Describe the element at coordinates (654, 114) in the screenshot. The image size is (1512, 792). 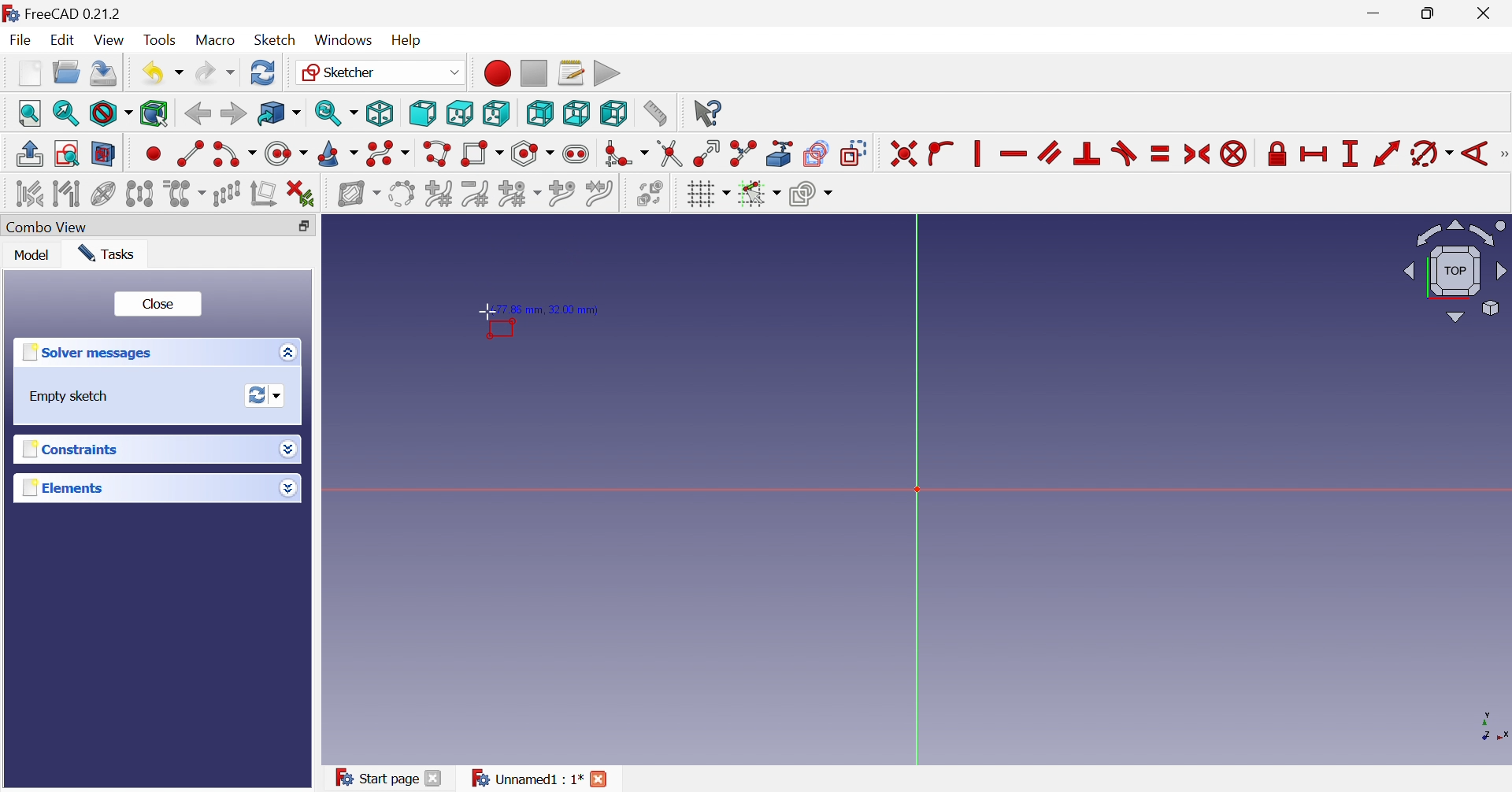
I see `Measure distance` at that location.